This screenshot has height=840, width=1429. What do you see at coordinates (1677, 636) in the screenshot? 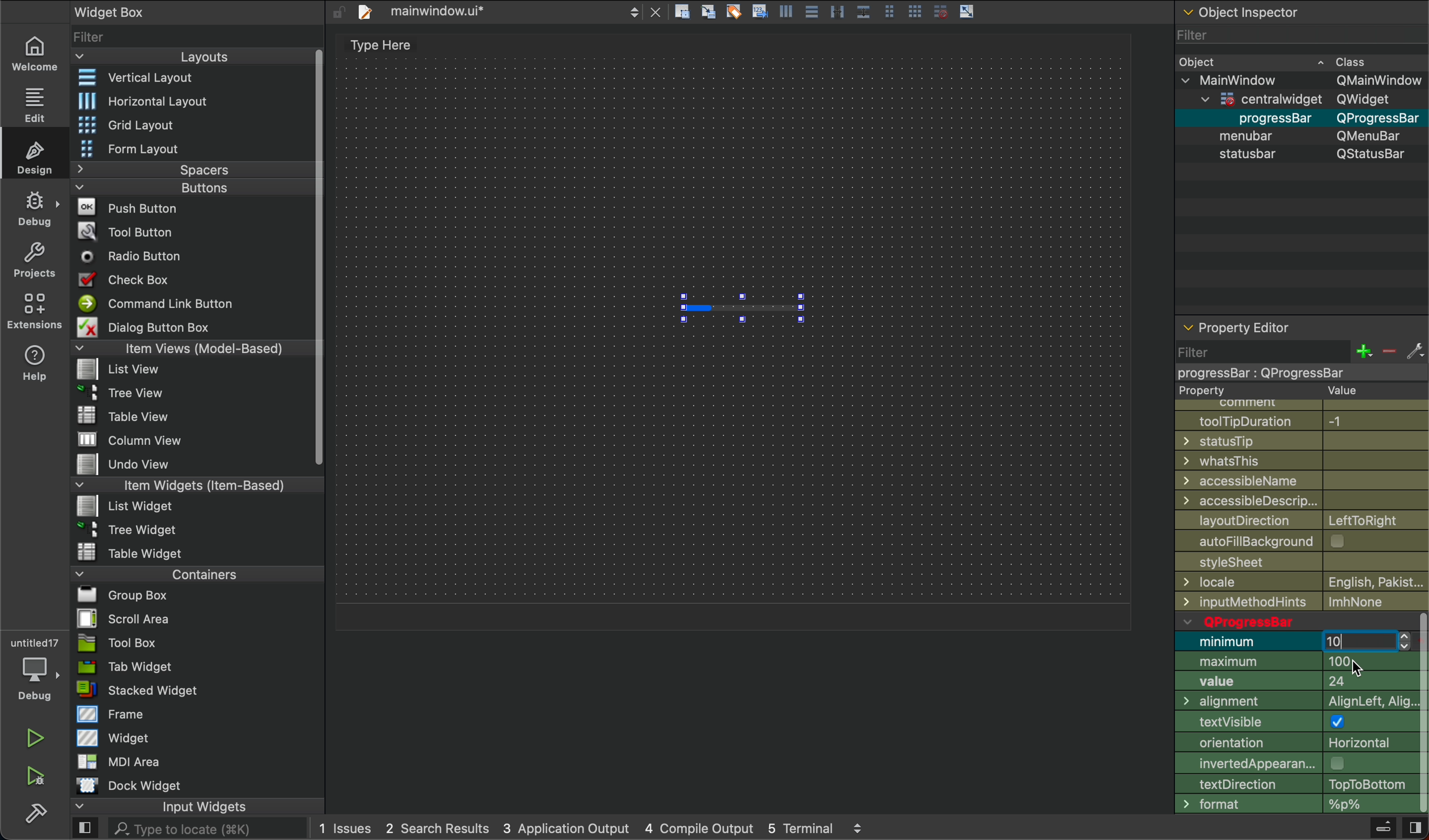
I see `Minimum` at bounding box center [1677, 636].